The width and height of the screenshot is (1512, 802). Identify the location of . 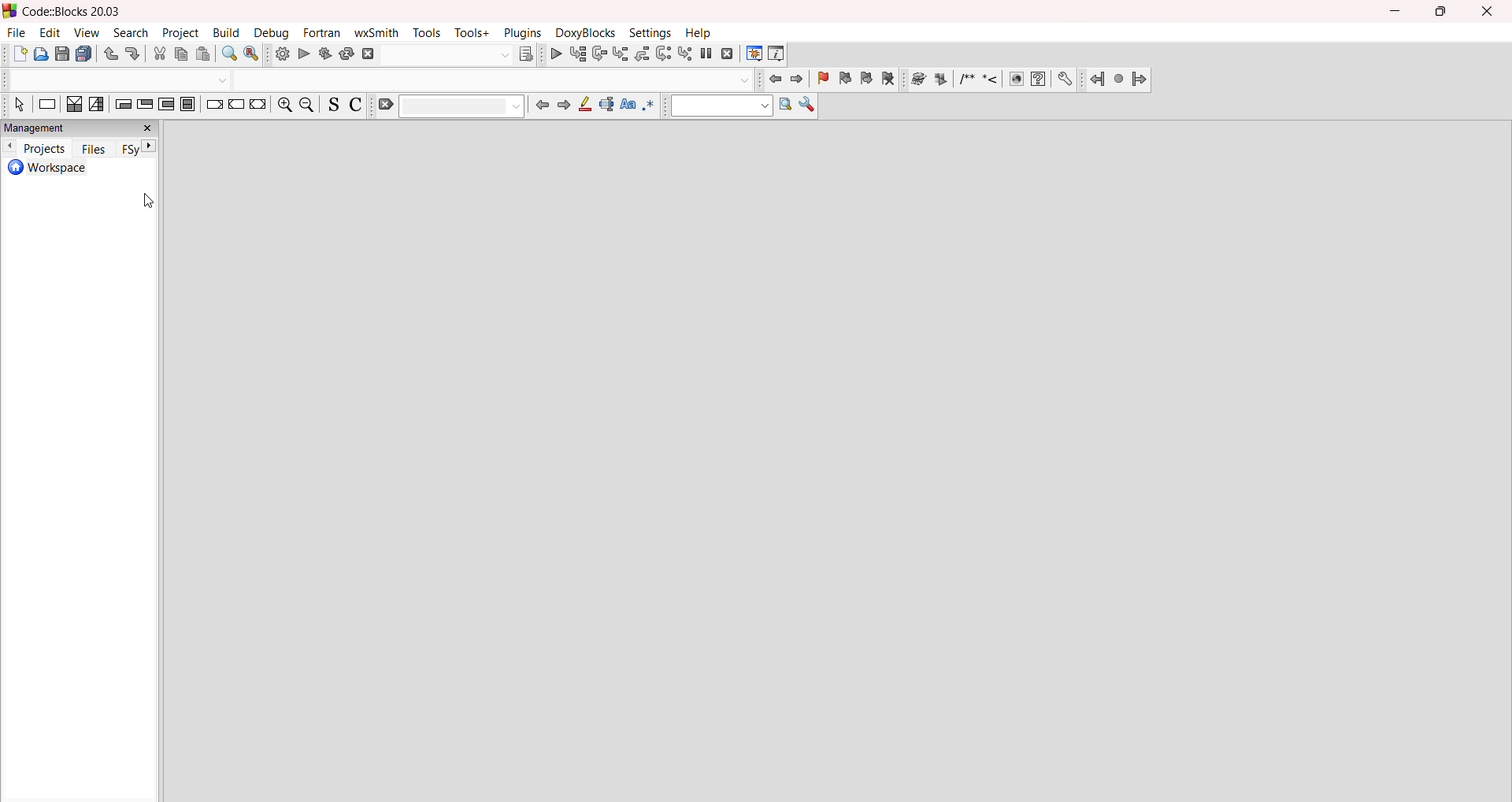
(796, 80).